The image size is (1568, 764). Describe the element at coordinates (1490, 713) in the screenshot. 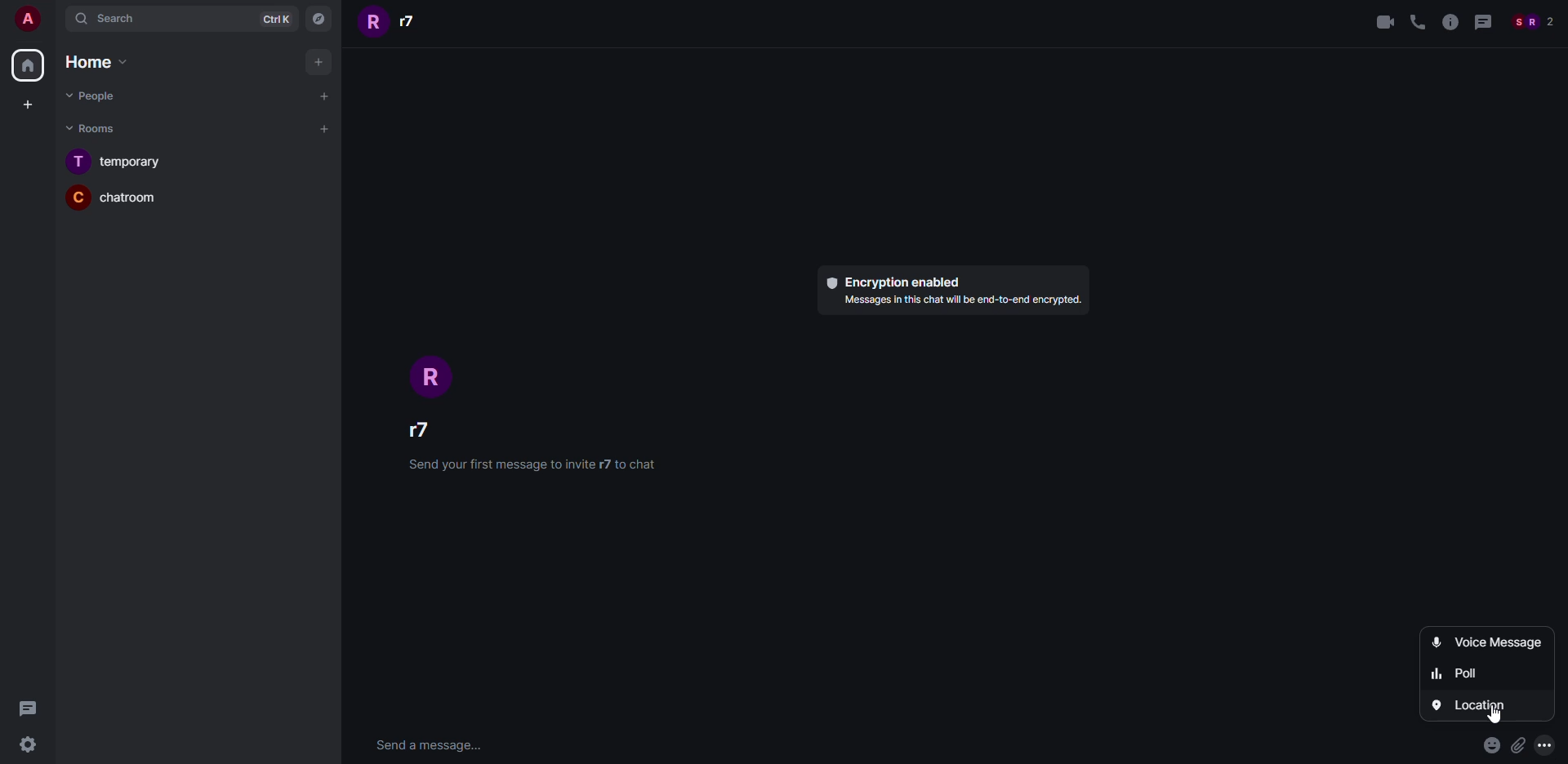

I see `cursor` at that location.